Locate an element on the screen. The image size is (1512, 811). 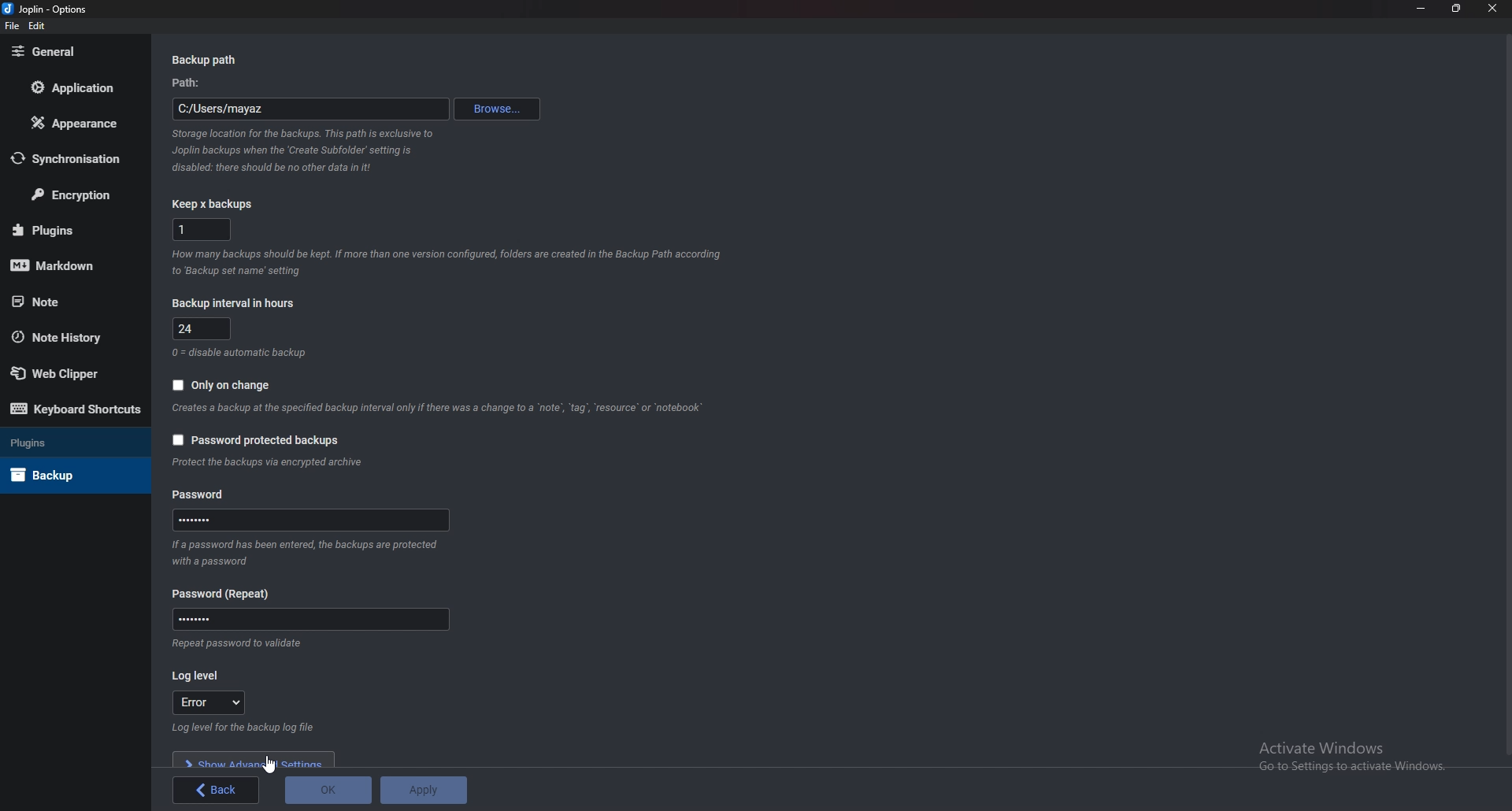
Plugins is located at coordinates (63, 441).